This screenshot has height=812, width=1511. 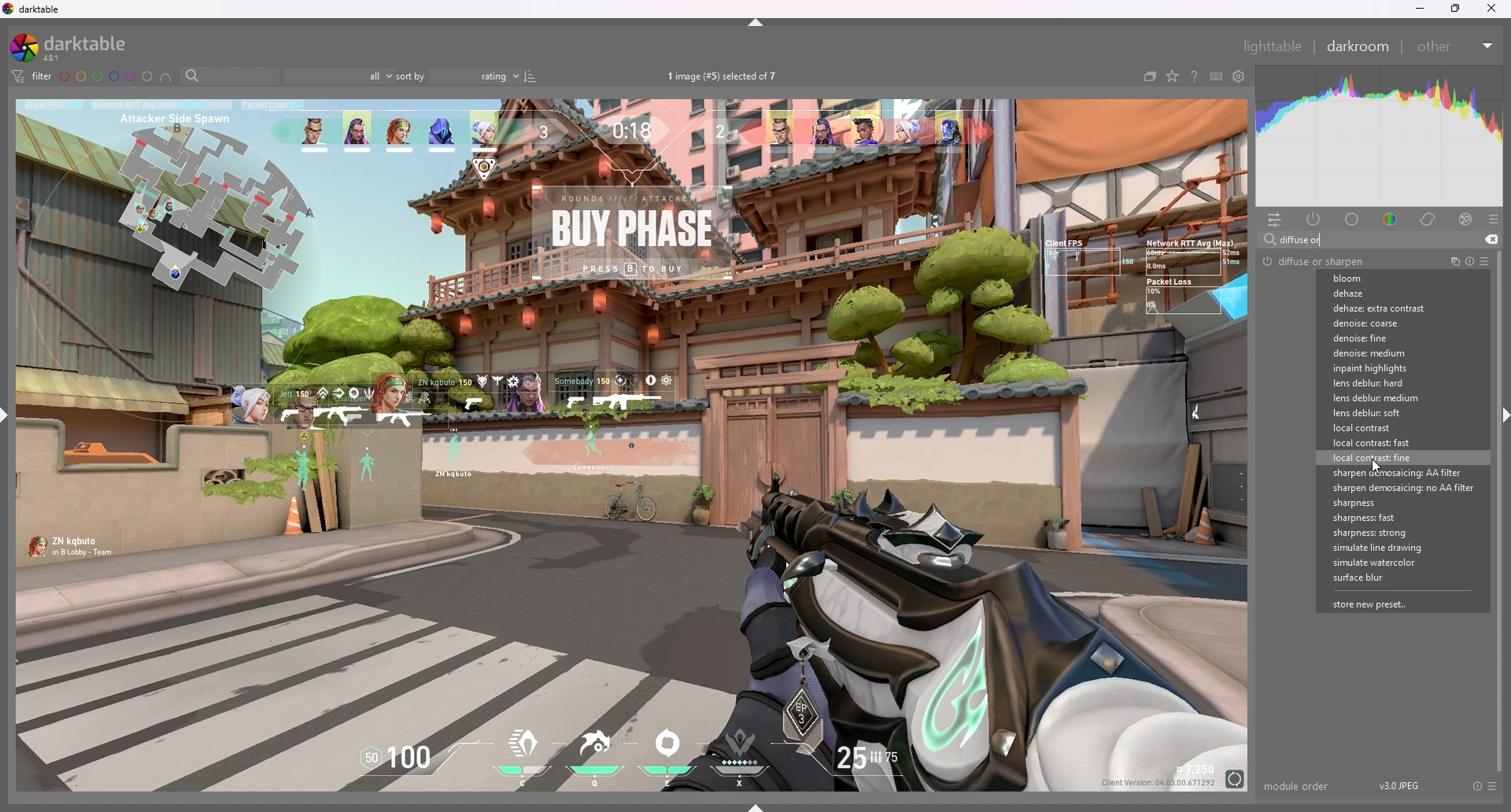 I want to click on lens deblur soft, so click(x=1387, y=413).